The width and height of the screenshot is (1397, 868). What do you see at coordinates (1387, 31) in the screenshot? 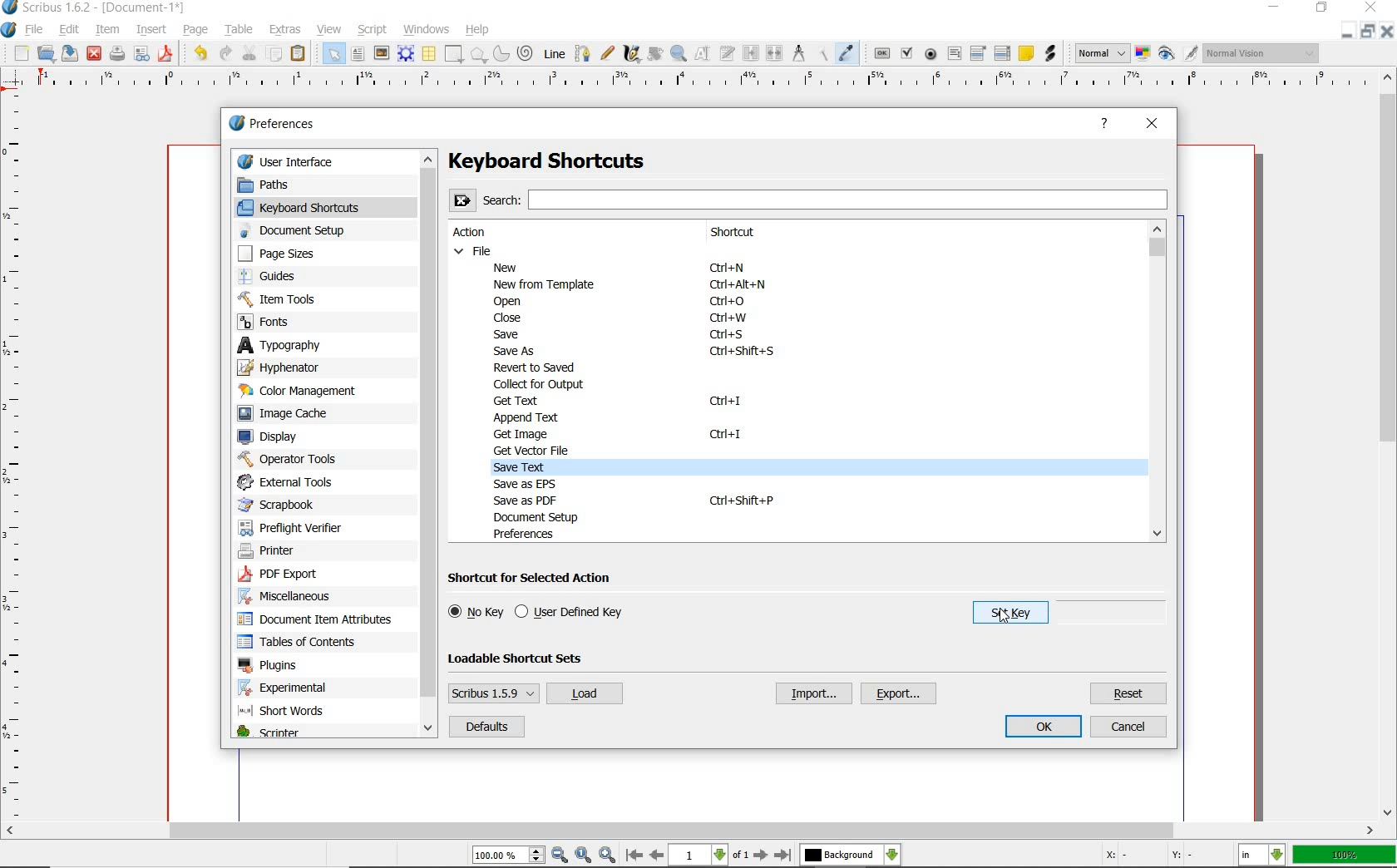
I see `close` at bounding box center [1387, 31].